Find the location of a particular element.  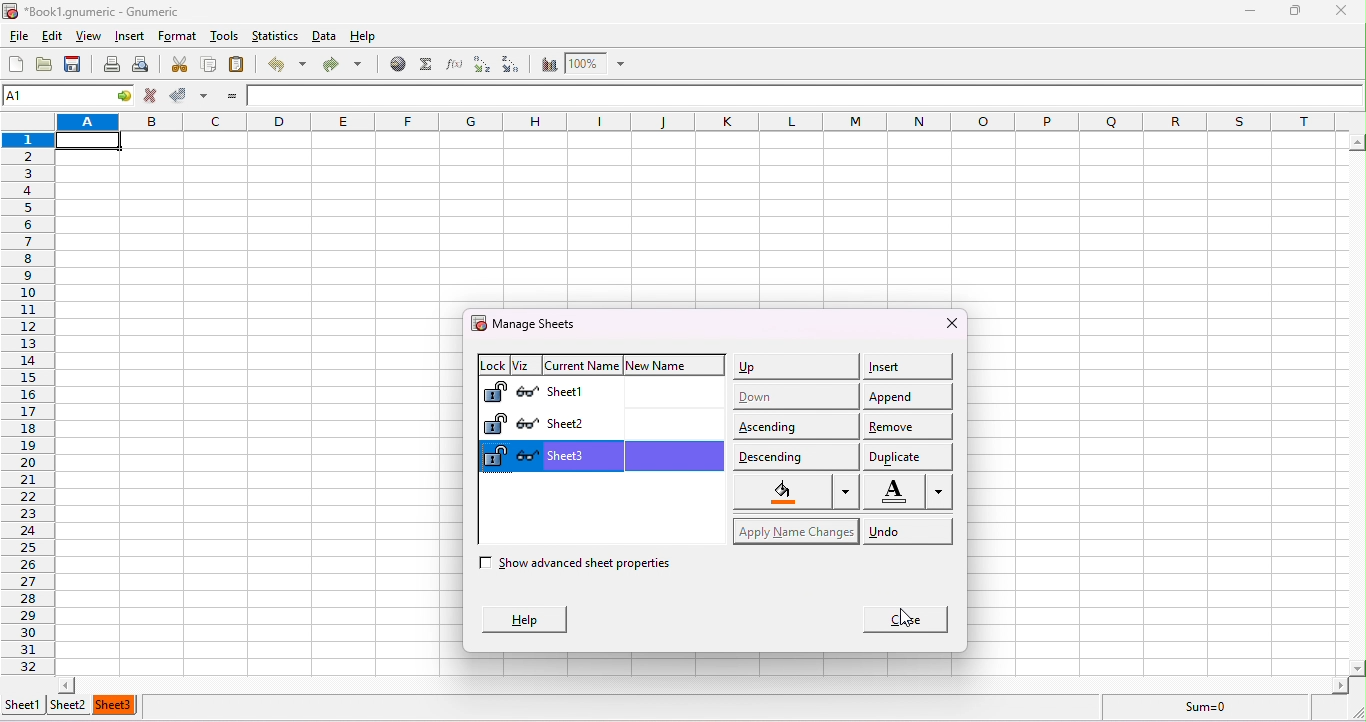

Lock sheet 3 is located at coordinates (493, 456).